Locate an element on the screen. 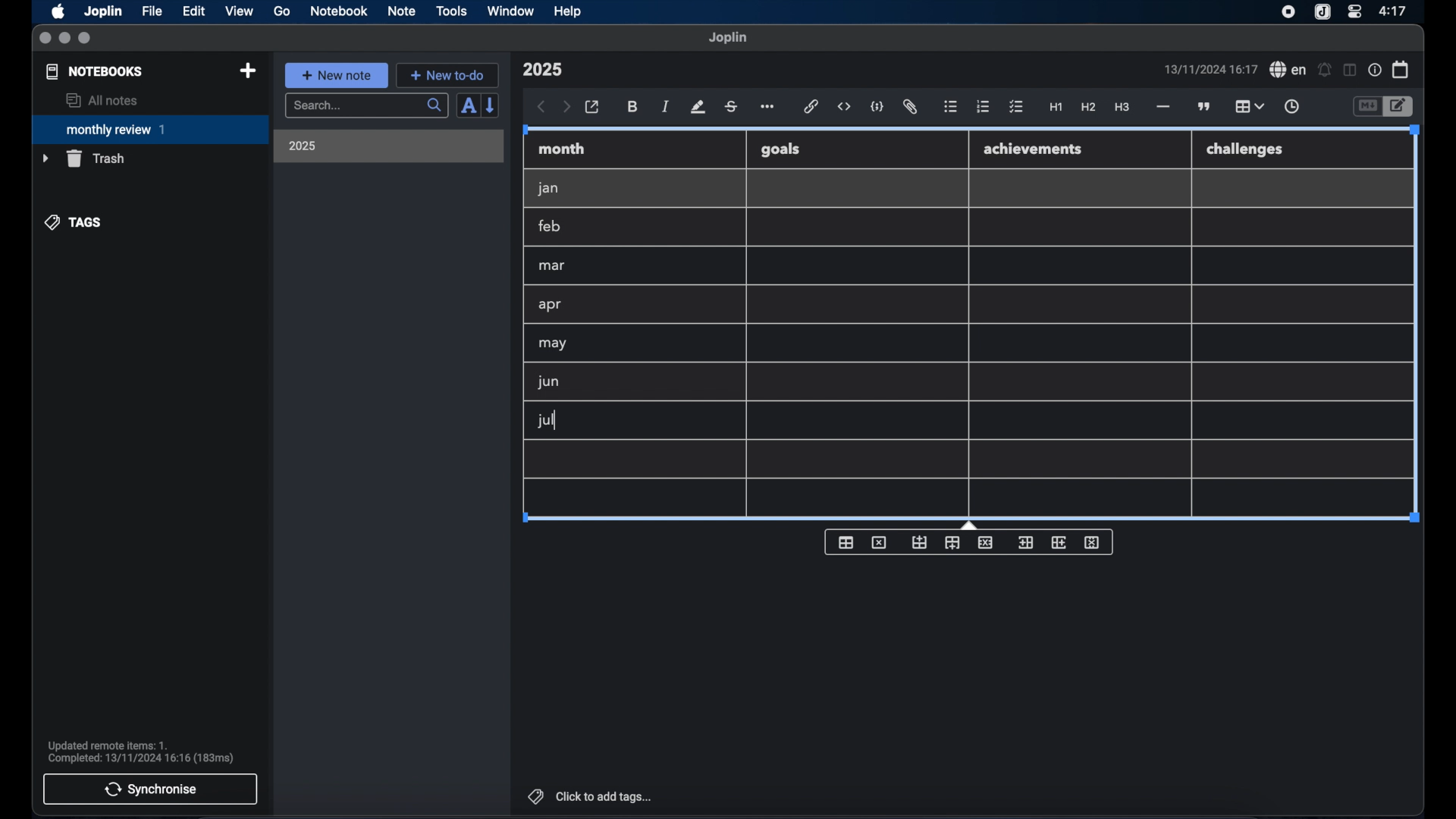 The height and width of the screenshot is (819, 1456). sort order field is located at coordinates (468, 106).